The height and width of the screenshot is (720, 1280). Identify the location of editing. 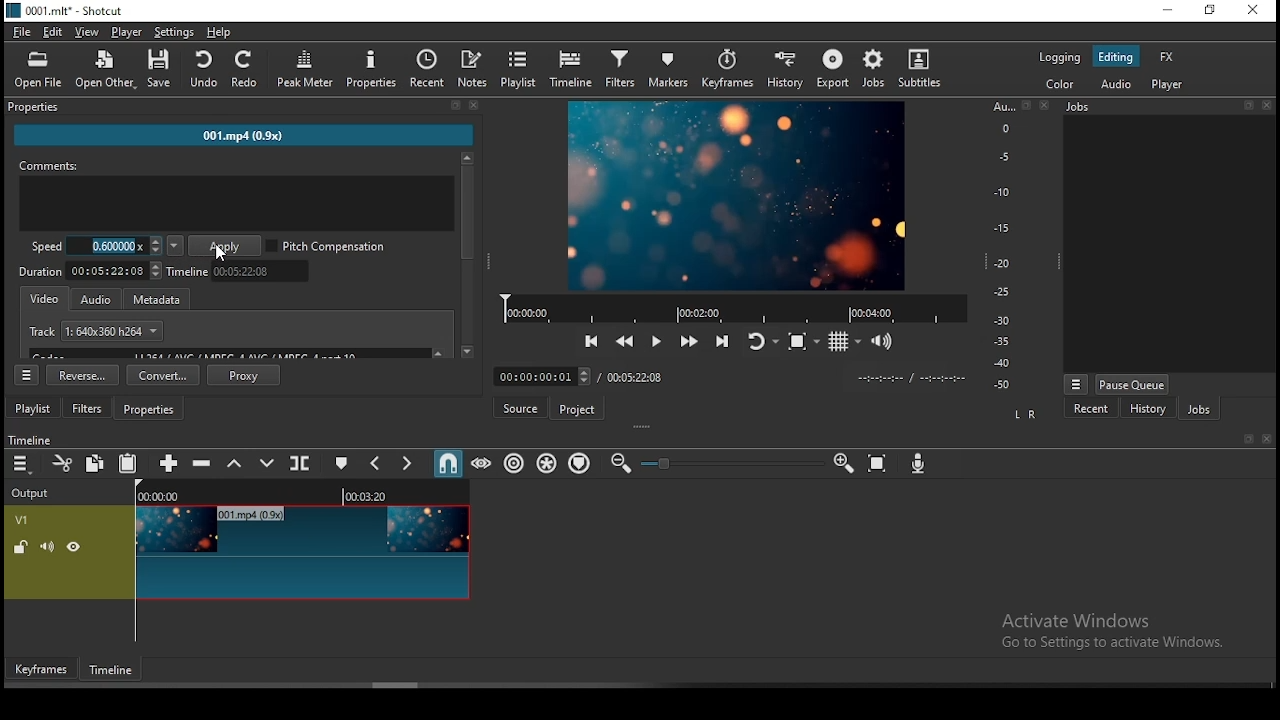
(1115, 58).